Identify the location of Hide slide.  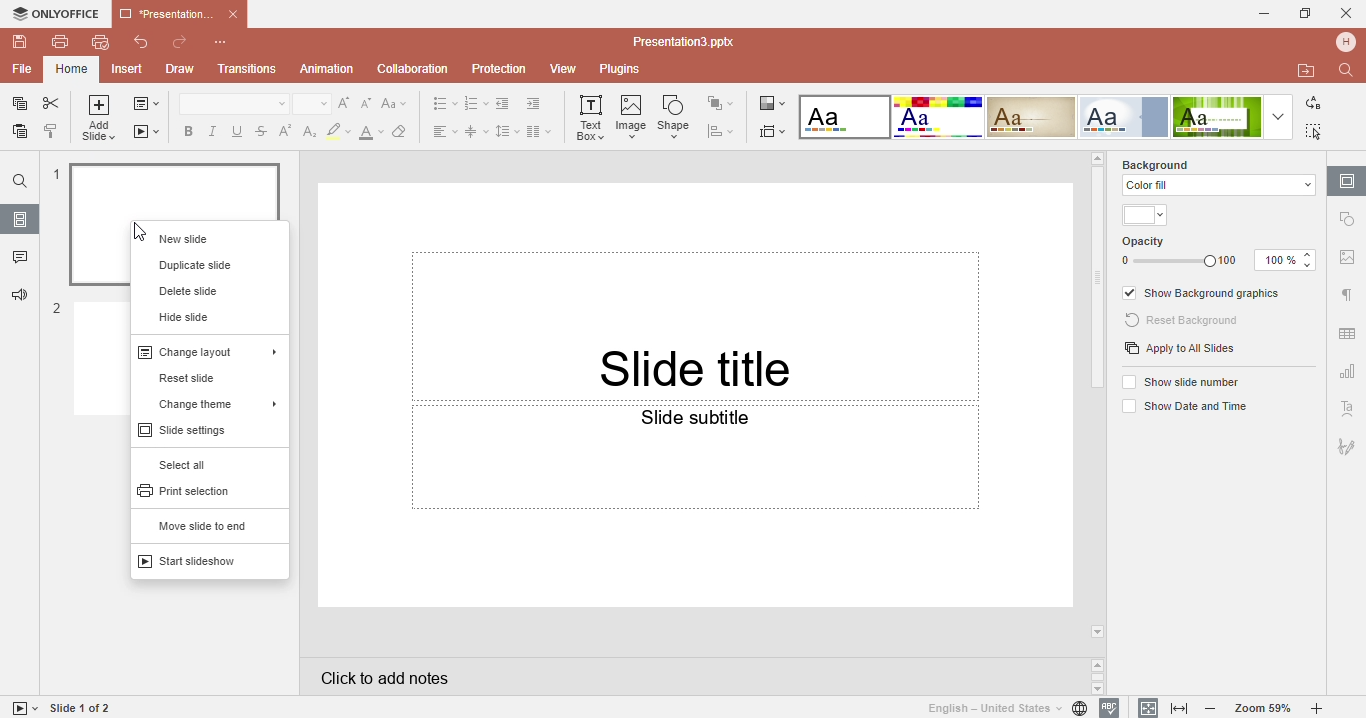
(184, 316).